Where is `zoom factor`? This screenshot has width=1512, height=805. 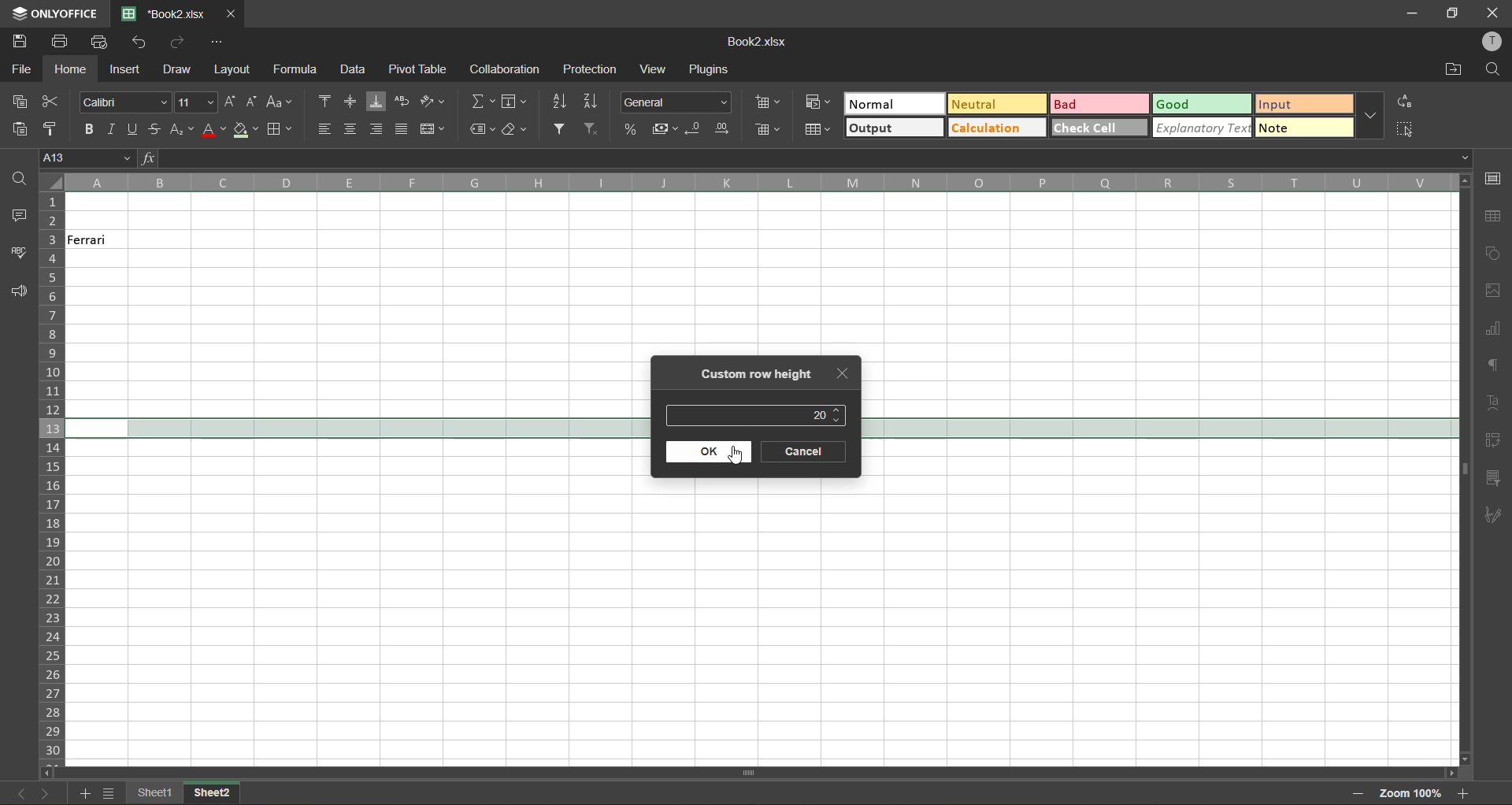
zoom factor is located at coordinates (1413, 793).